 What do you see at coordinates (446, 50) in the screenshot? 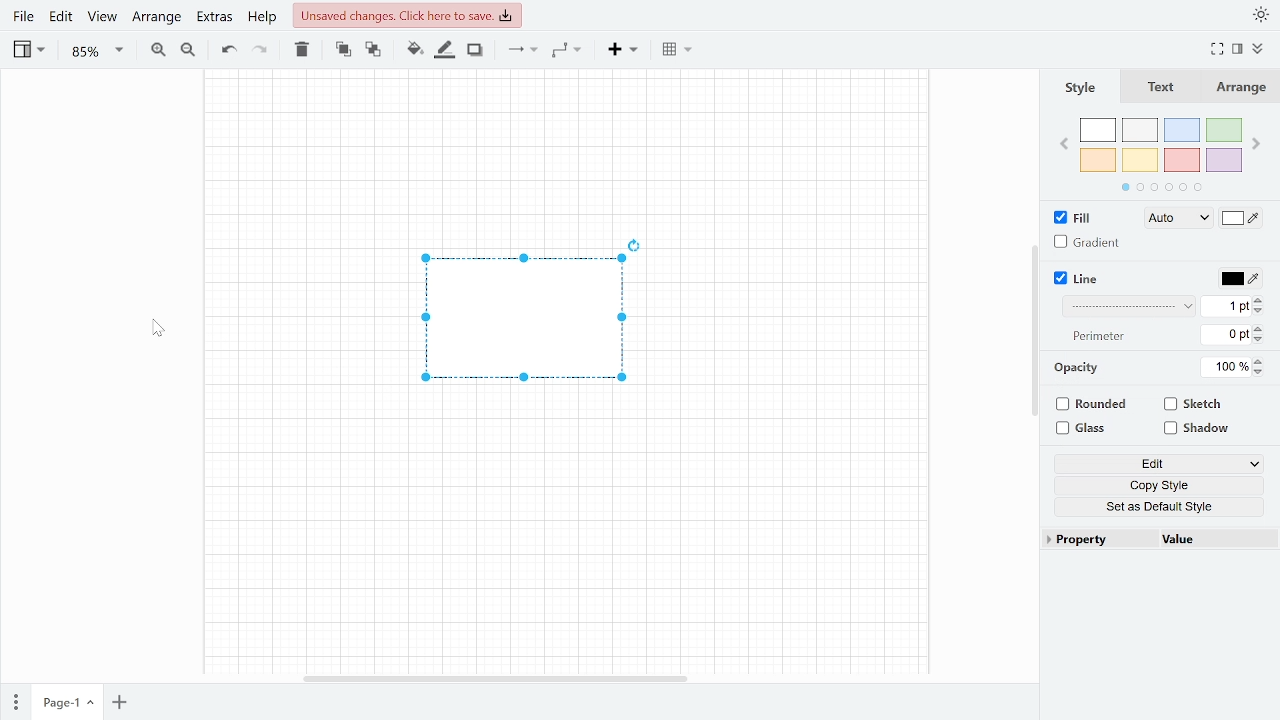
I see `Fill line` at bounding box center [446, 50].